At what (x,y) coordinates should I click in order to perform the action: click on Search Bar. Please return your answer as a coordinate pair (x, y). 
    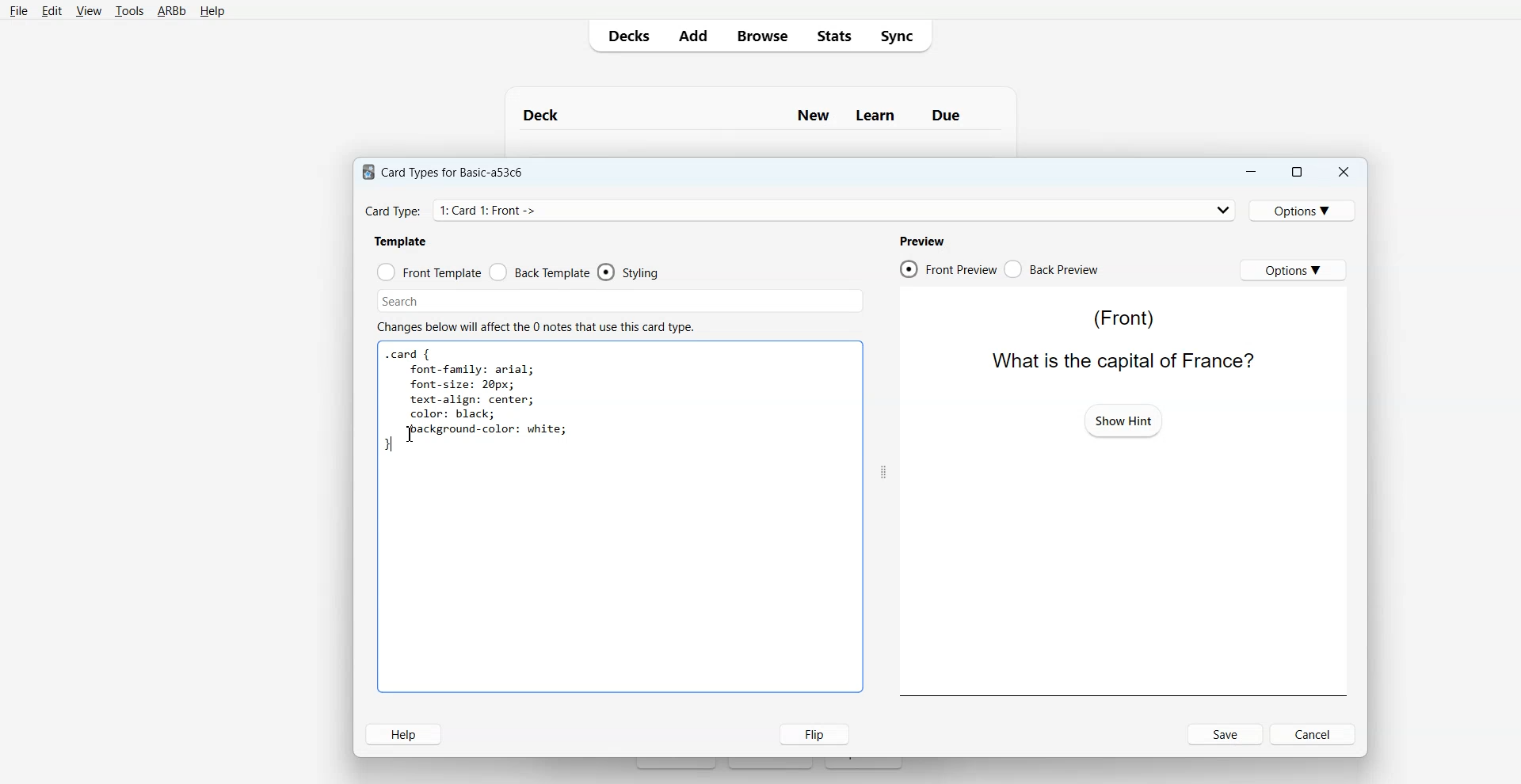
    Looking at the image, I should click on (620, 301).